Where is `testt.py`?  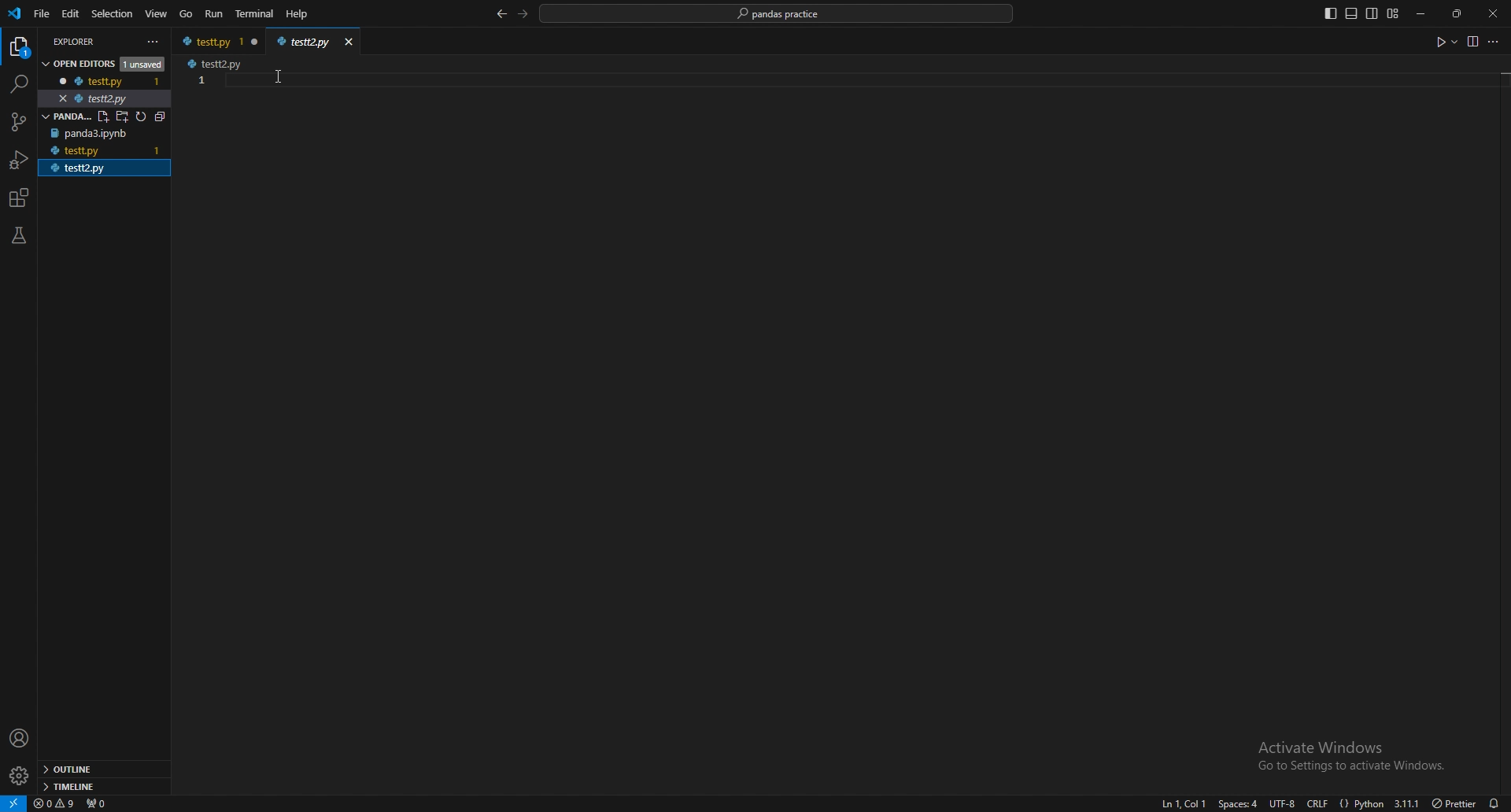 testt.py is located at coordinates (81, 151).